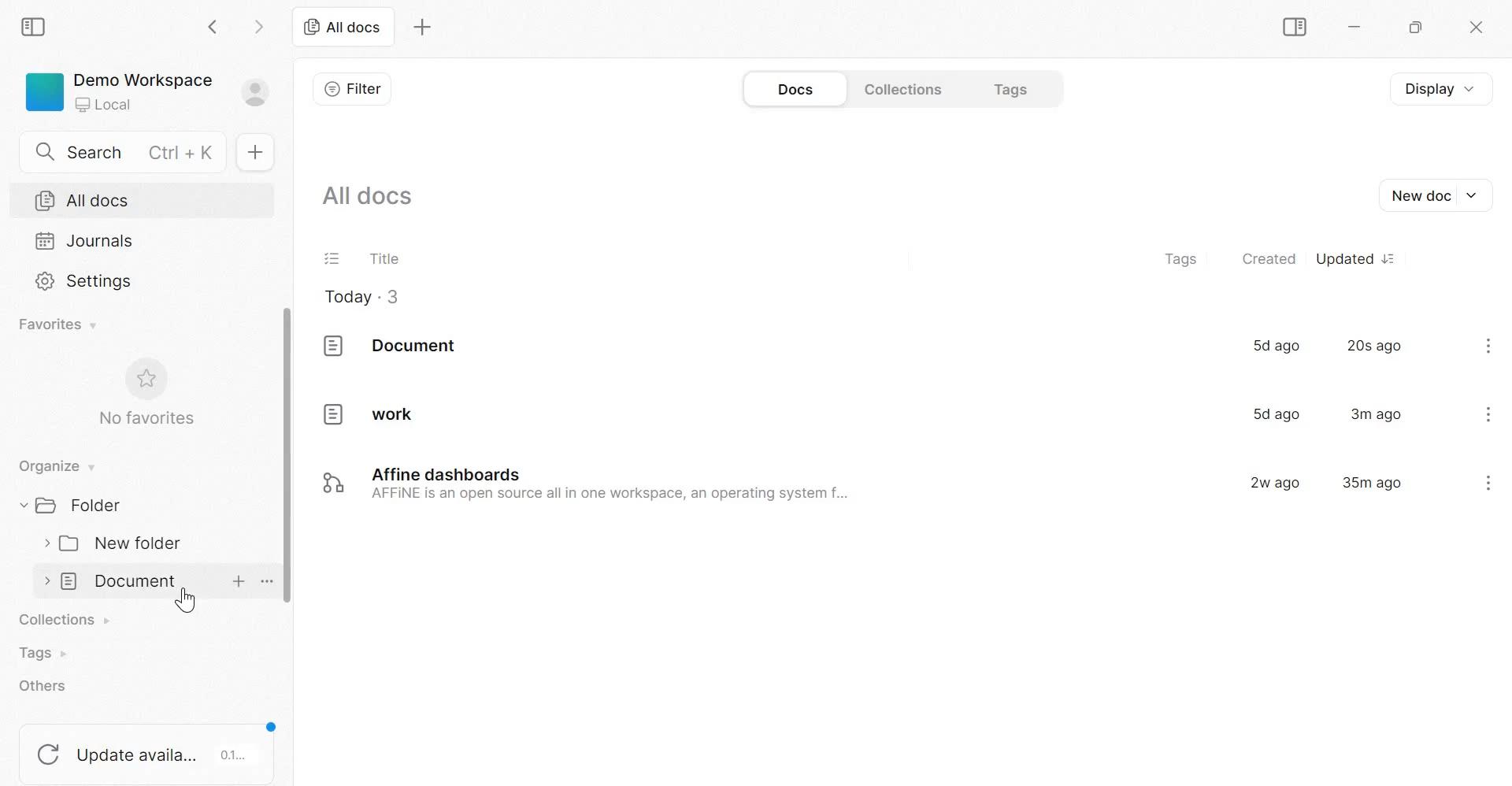 The image size is (1512, 786). I want to click on Minimize, so click(1354, 27).